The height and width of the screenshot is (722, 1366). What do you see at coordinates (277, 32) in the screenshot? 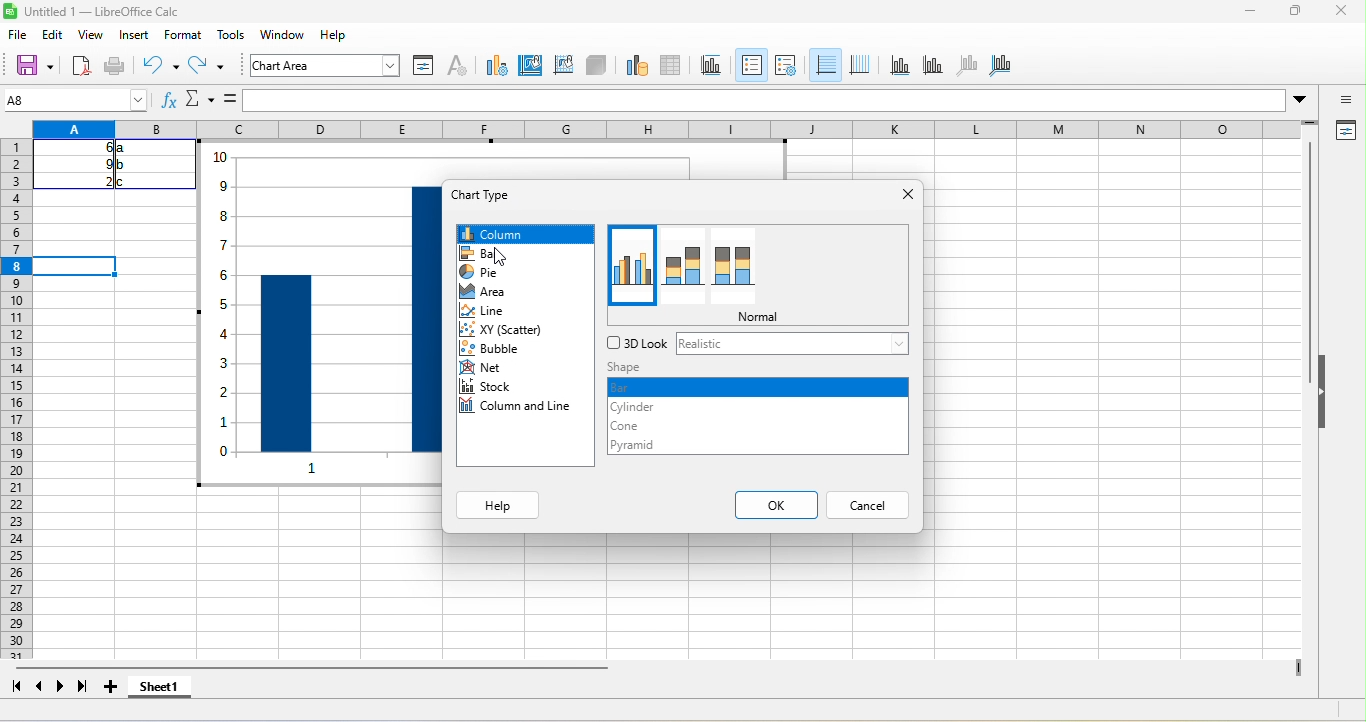
I see `sheet` at bounding box center [277, 32].